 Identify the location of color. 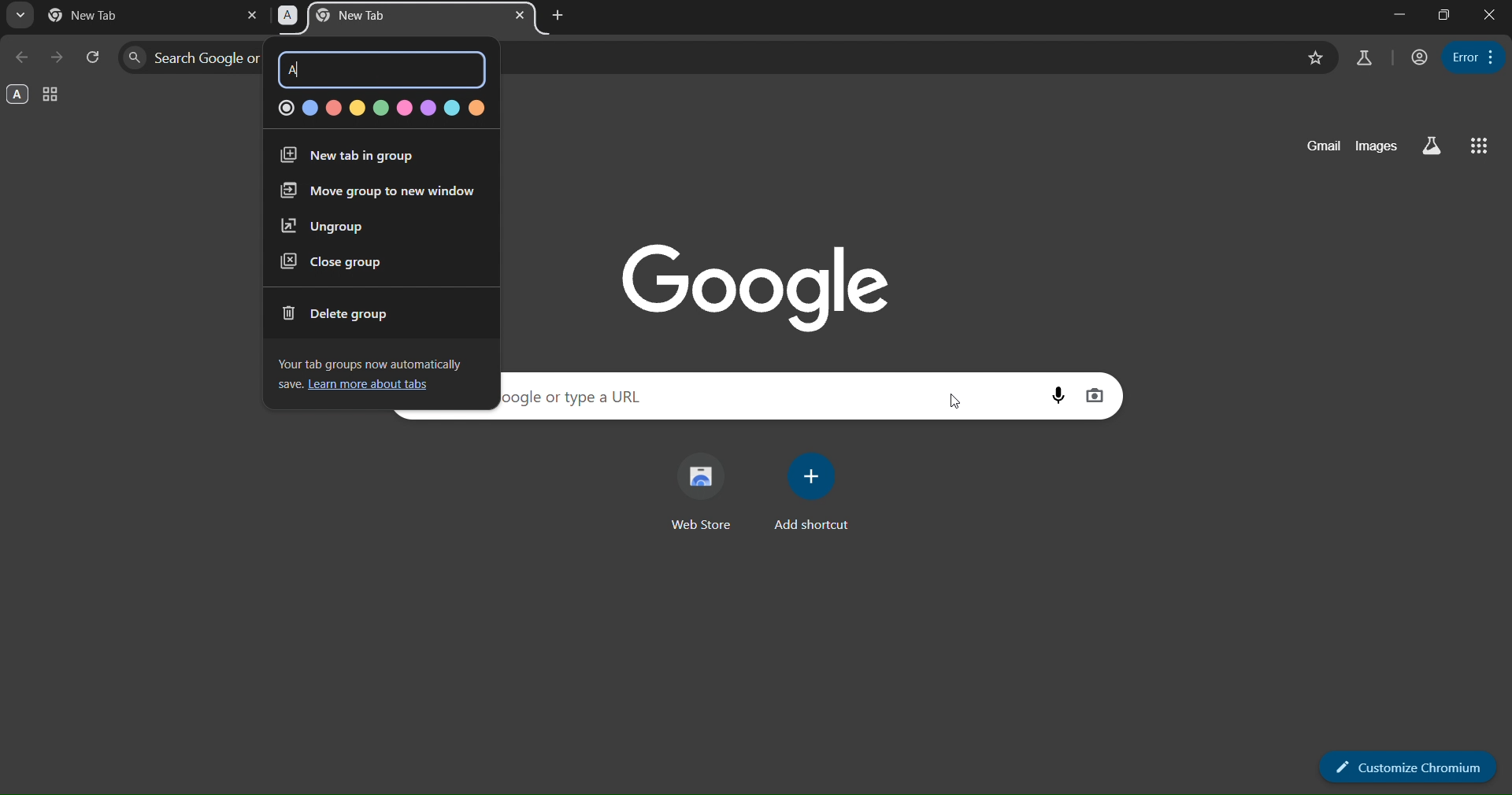
(380, 110).